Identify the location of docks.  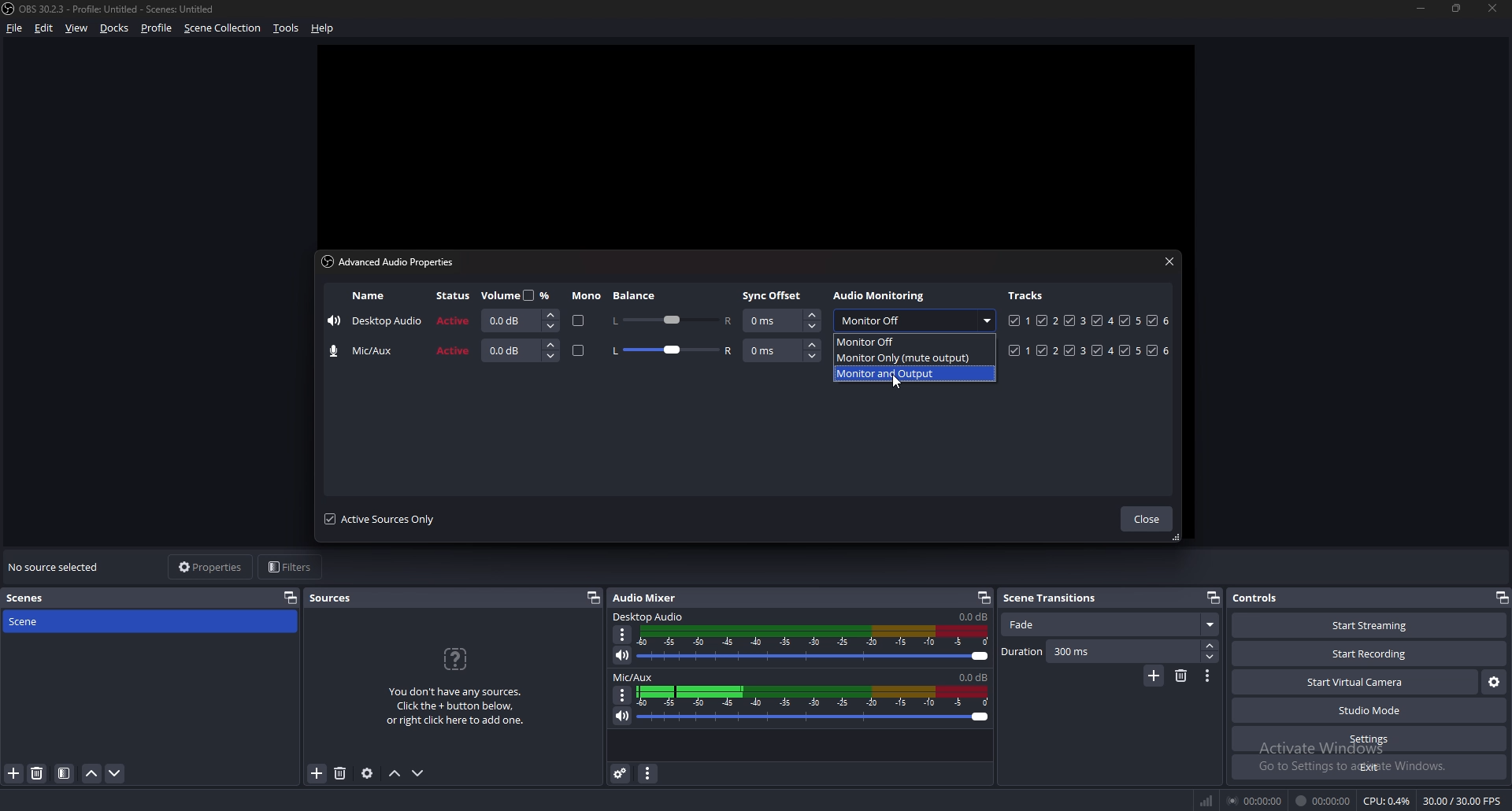
(117, 28).